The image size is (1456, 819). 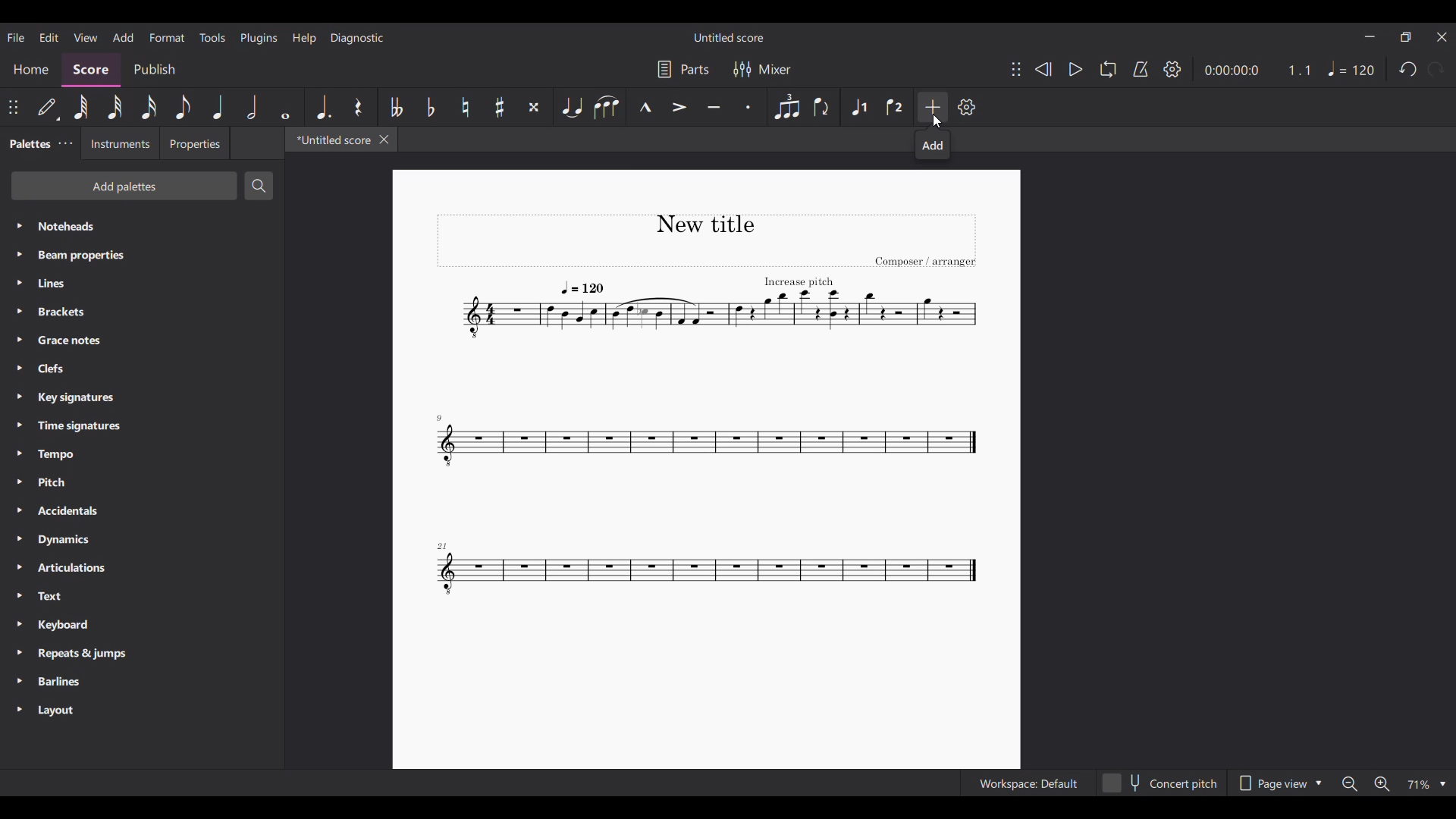 What do you see at coordinates (786, 107) in the screenshot?
I see `Tuplet` at bounding box center [786, 107].